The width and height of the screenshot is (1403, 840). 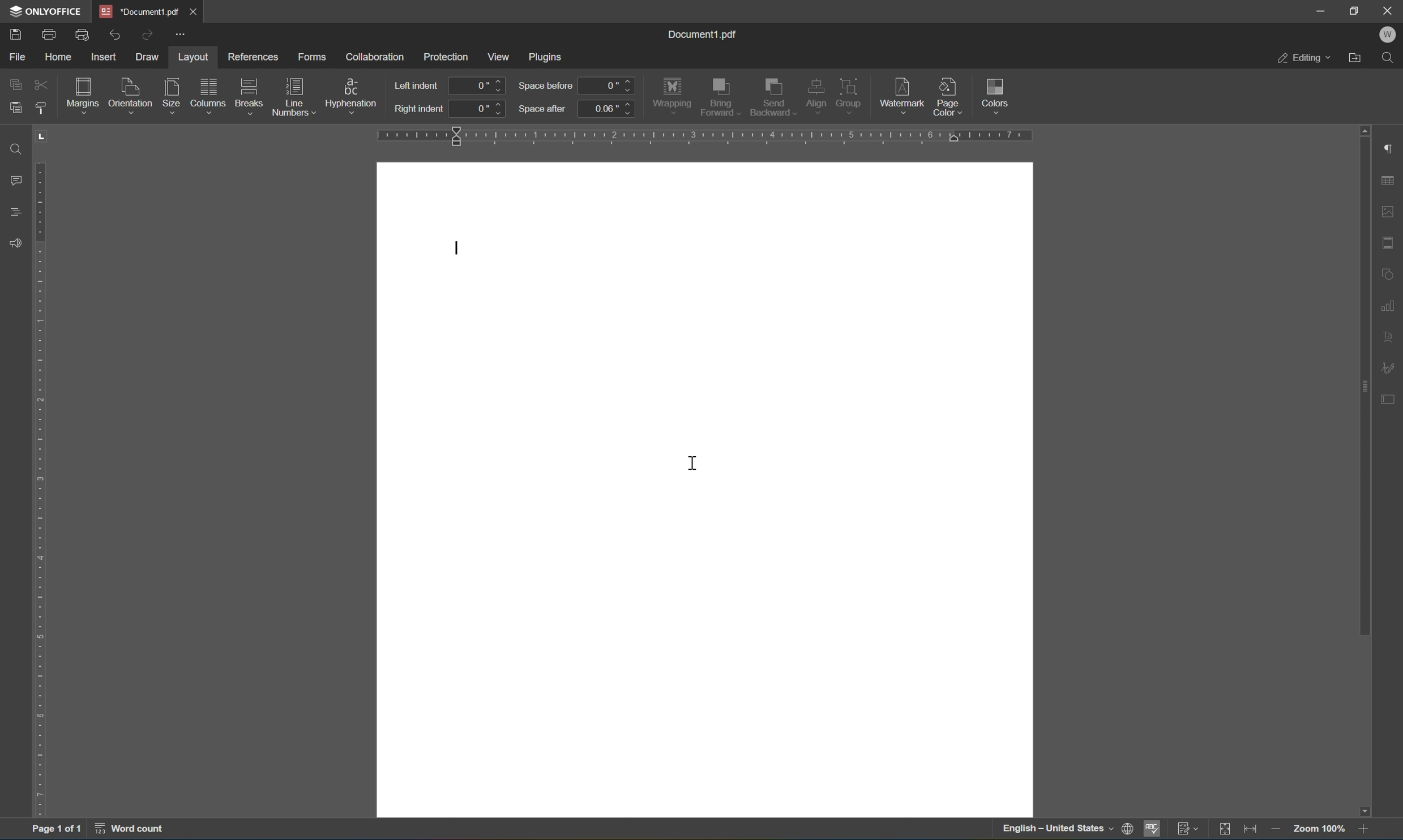 I want to click on customize quick access toolbar, so click(x=182, y=36).